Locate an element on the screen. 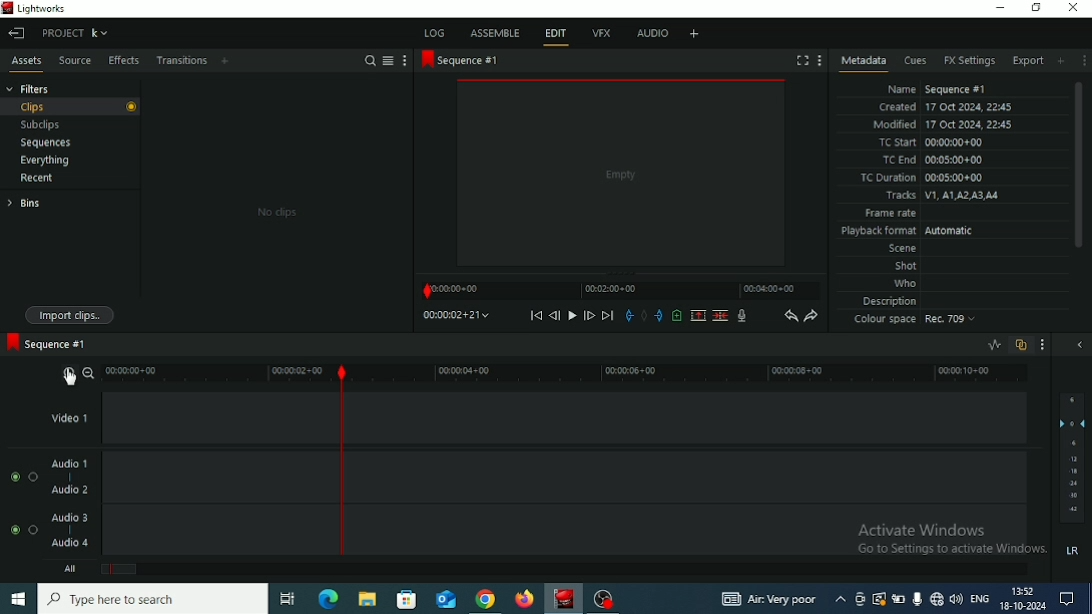 The height and width of the screenshot is (614, 1092). Task View is located at coordinates (287, 599).